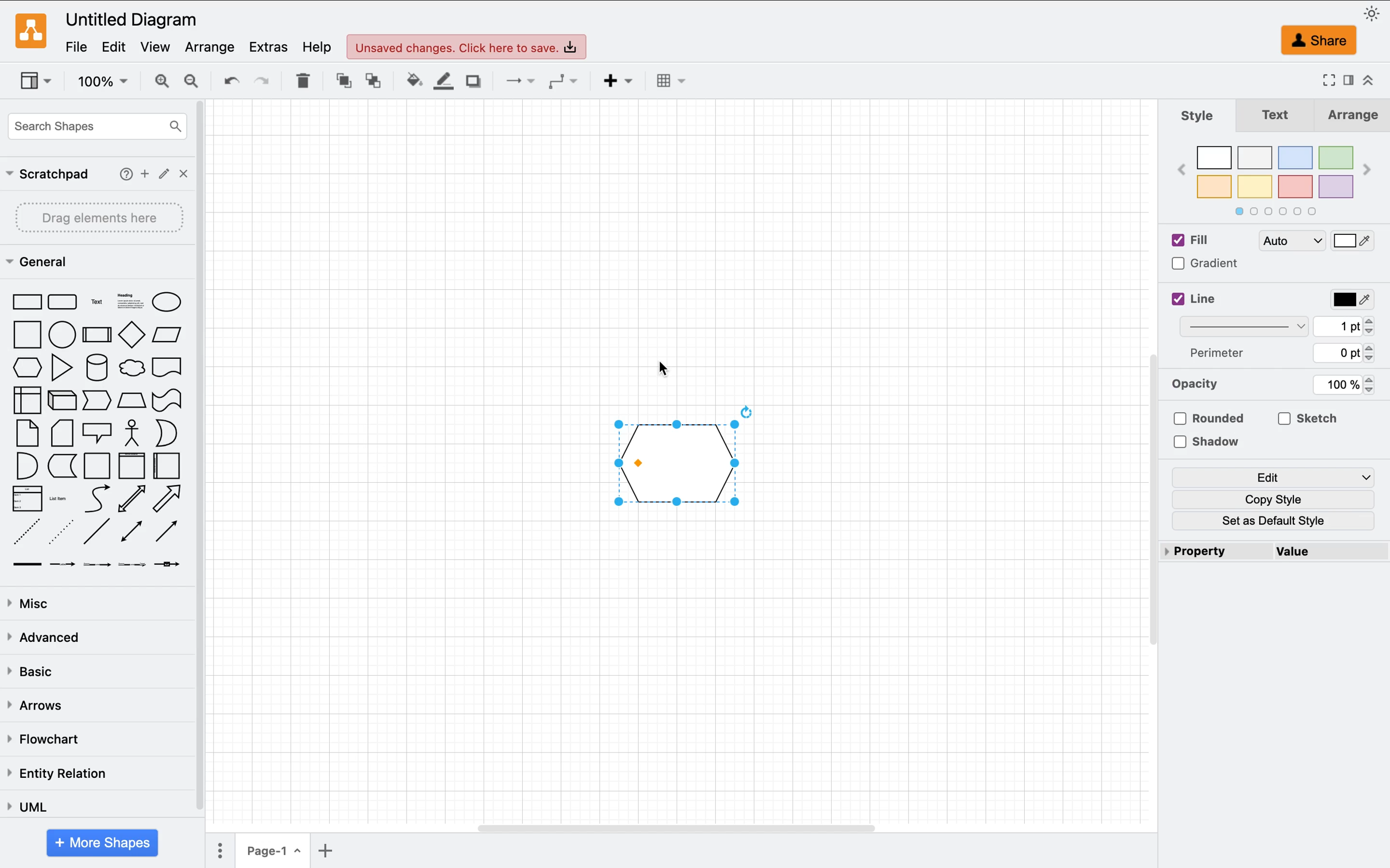  Describe the element at coordinates (25, 499) in the screenshot. I see `list` at that location.